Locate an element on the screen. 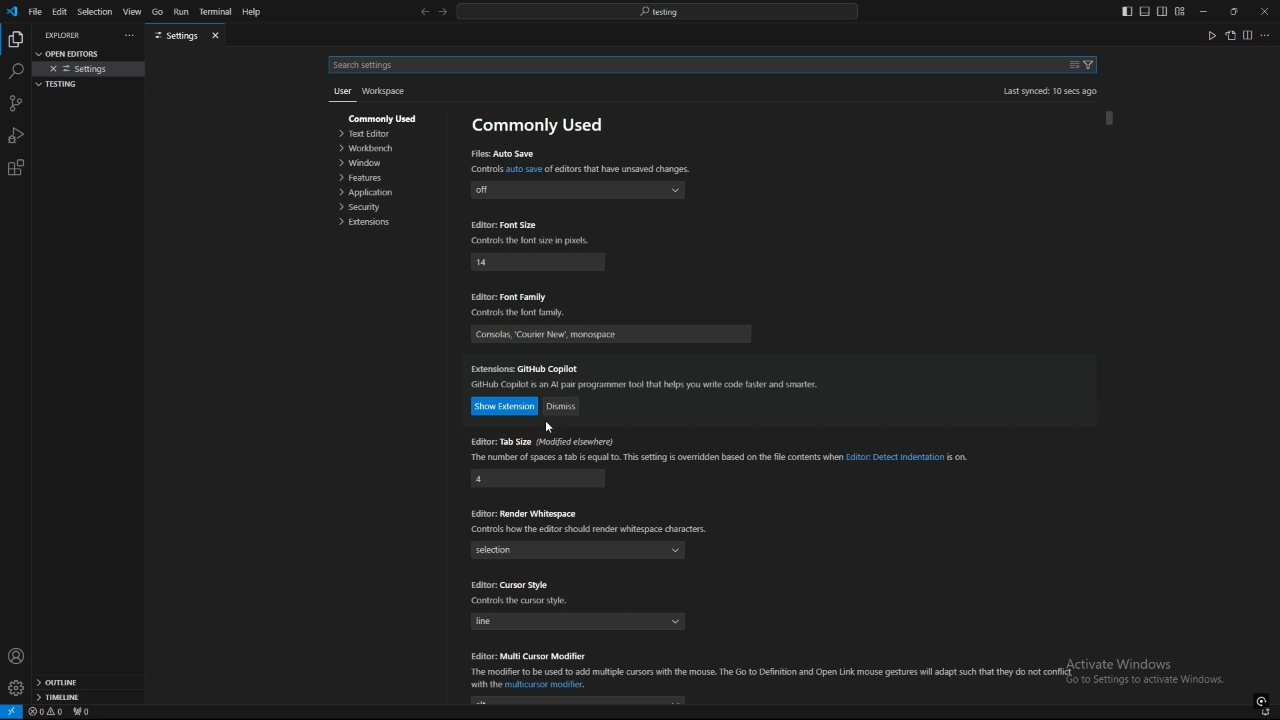  commonly used is located at coordinates (384, 117).